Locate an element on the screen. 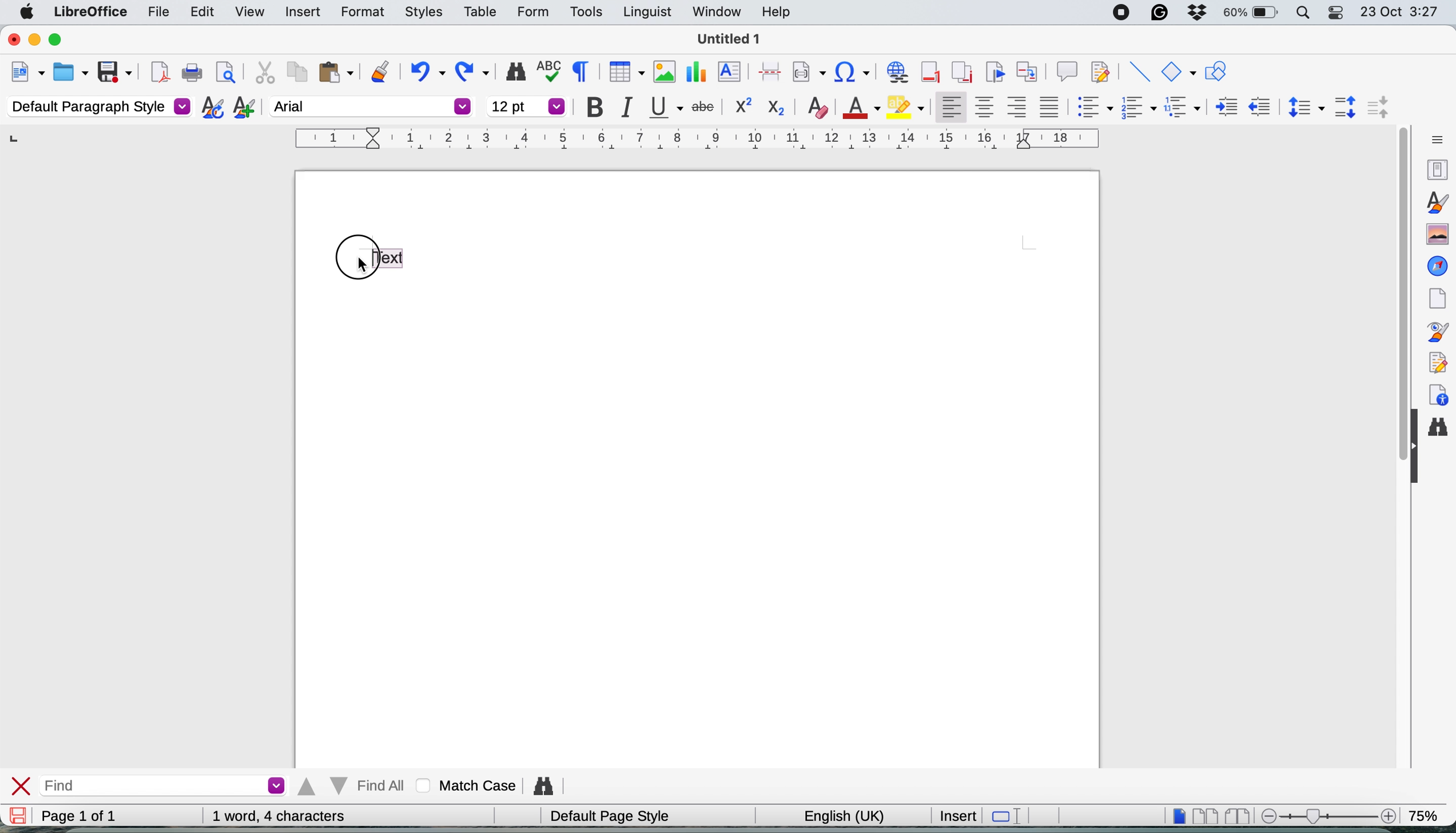 Image resolution: width=1456 pixels, height=833 pixels. table is located at coordinates (481, 11).